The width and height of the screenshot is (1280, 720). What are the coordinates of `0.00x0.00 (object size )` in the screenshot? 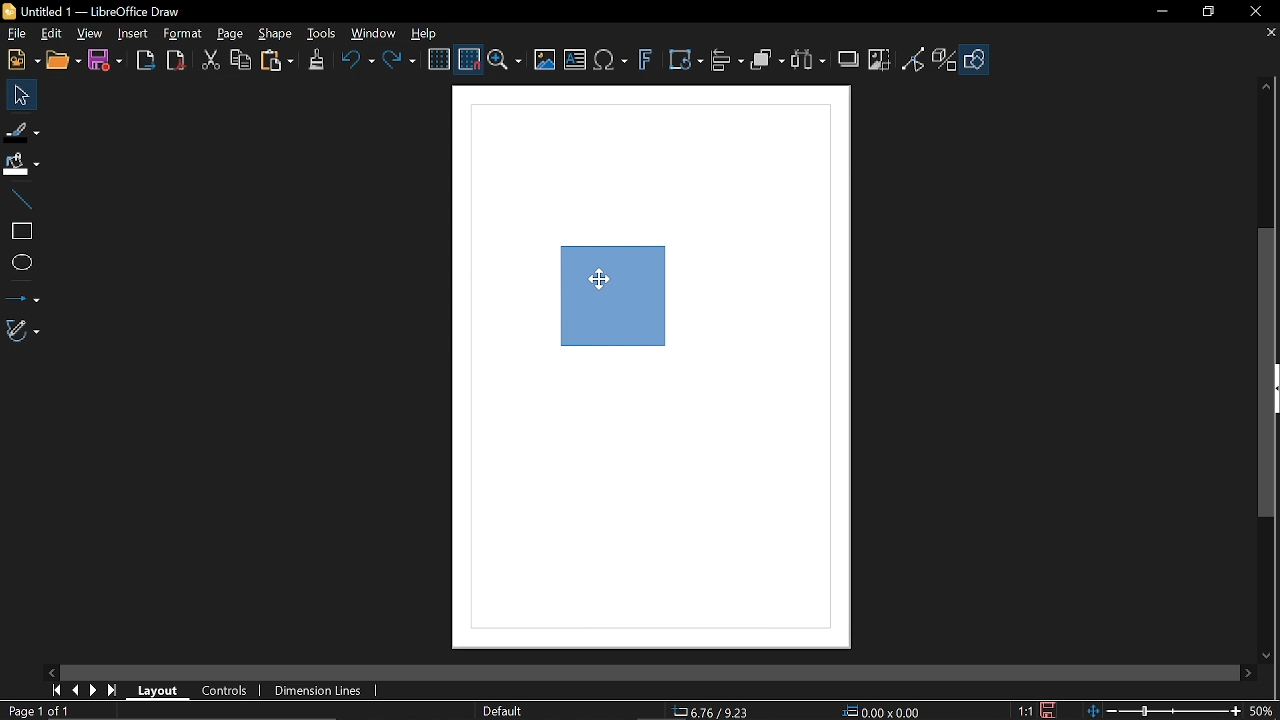 It's located at (885, 711).